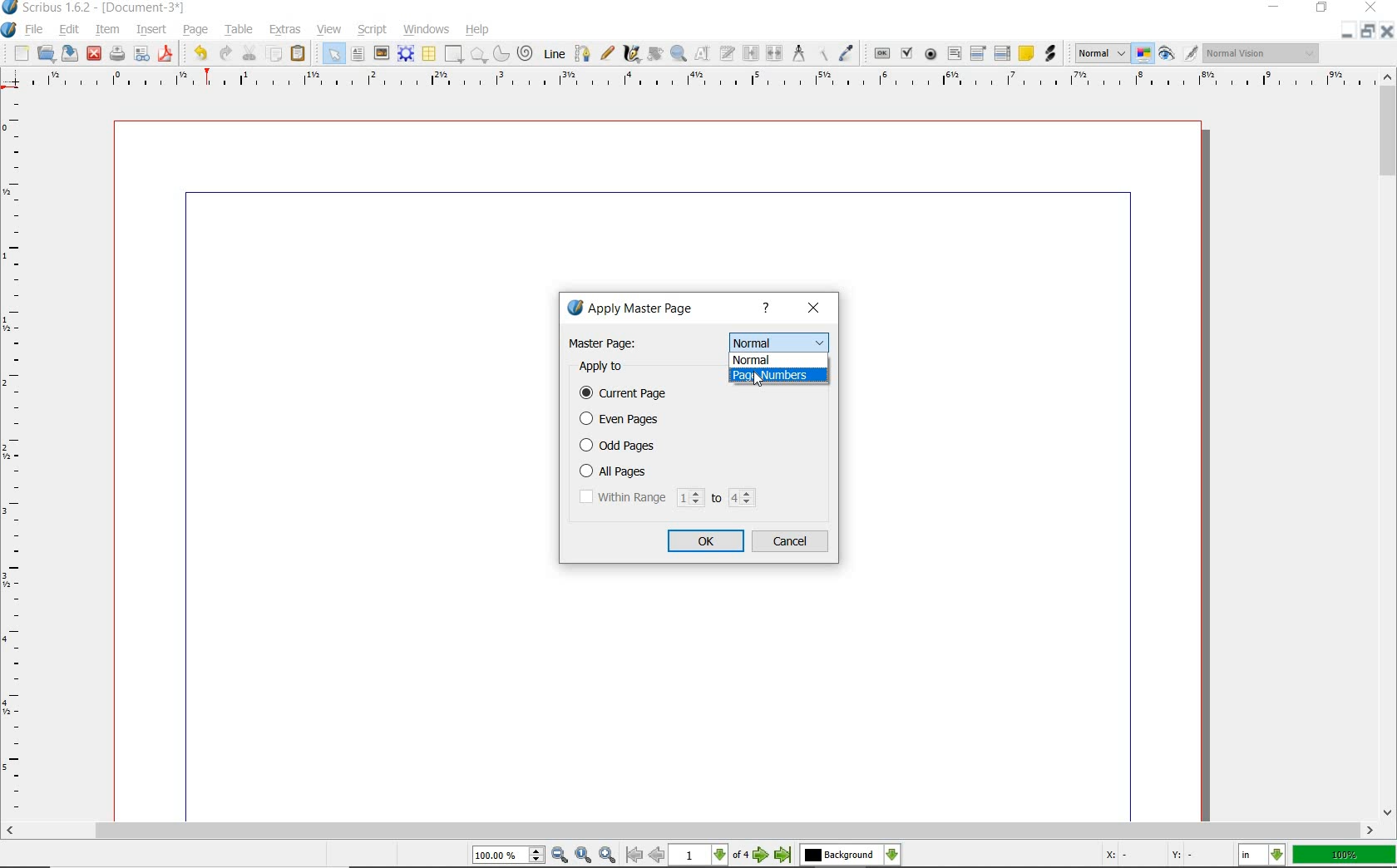  I want to click on extras, so click(284, 27).